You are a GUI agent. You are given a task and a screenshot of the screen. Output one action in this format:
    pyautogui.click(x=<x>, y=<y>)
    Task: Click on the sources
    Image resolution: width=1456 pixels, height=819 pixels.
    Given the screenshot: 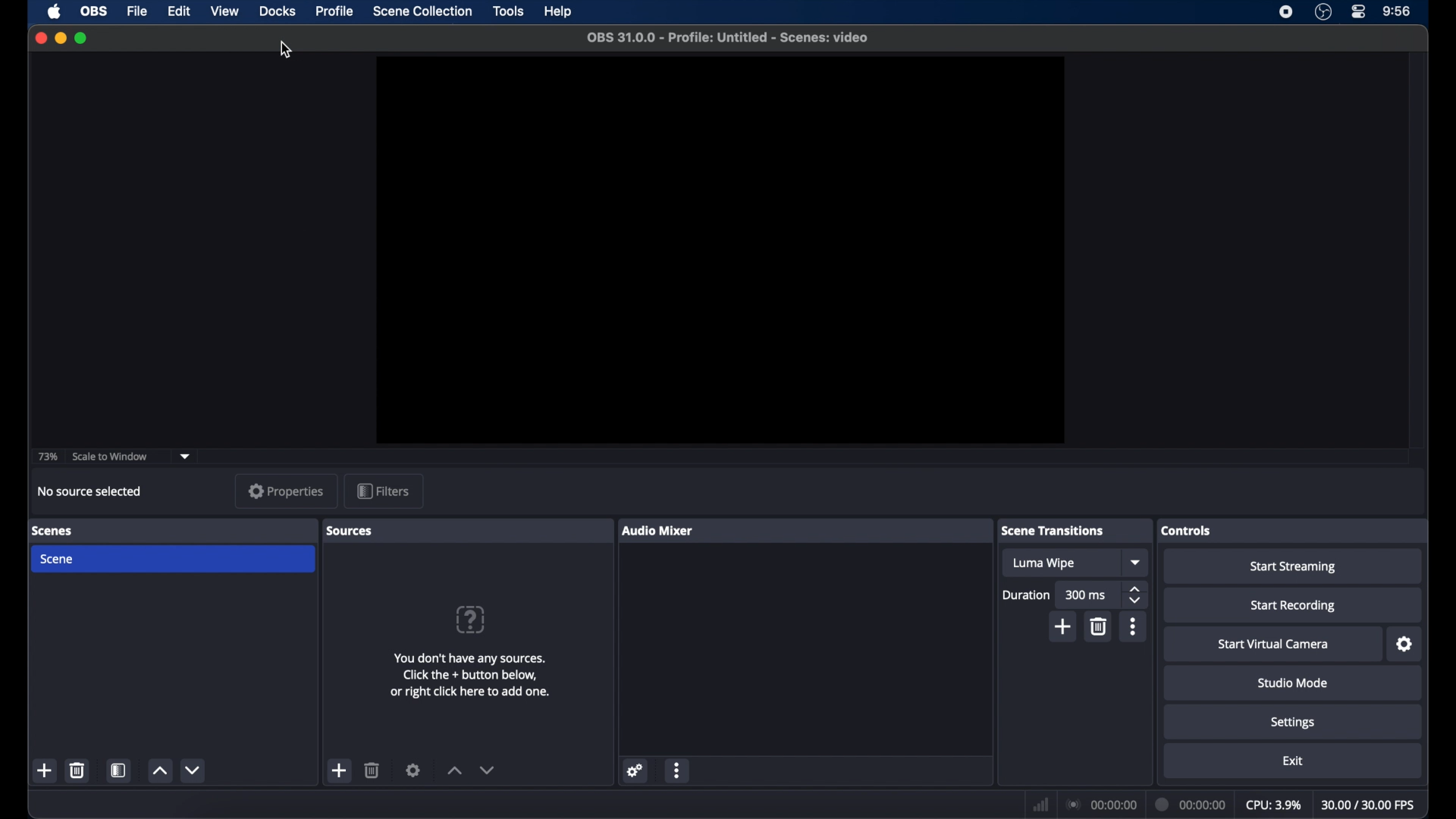 What is the action you would take?
    pyautogui.click(x=359, y=531)
    